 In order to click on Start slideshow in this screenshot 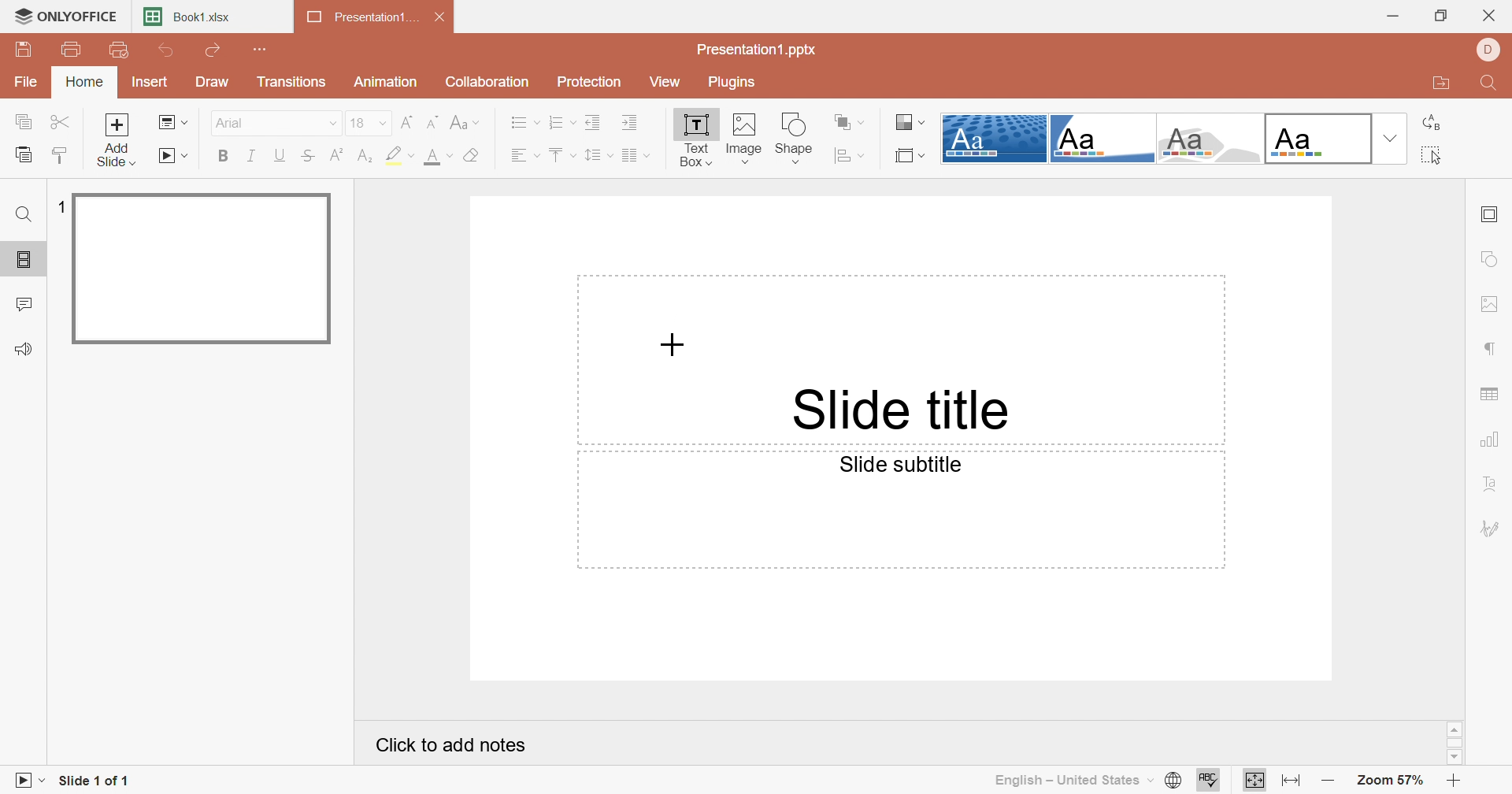, I will do `click(173, 155)`.